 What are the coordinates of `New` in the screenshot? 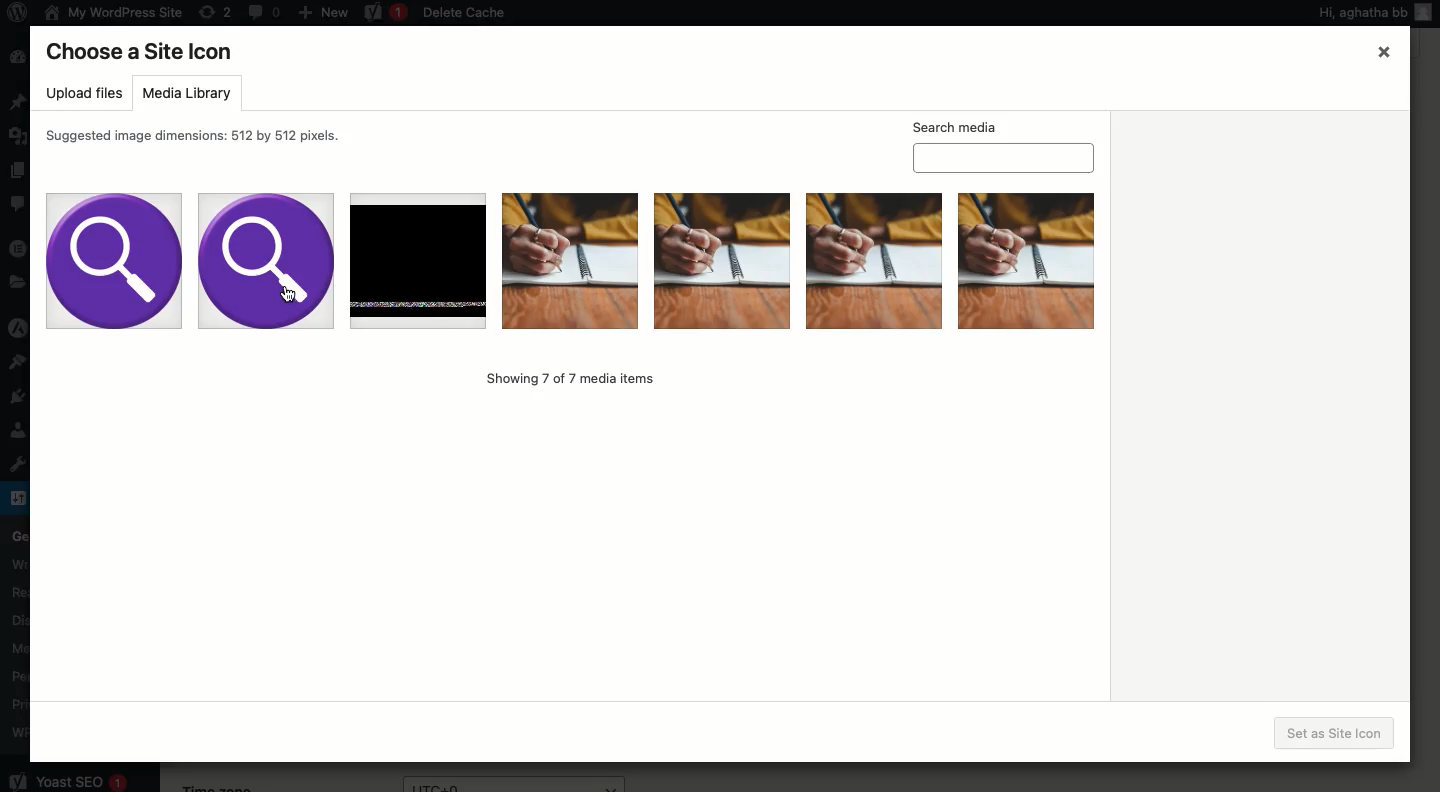 It's located at (323, 11).